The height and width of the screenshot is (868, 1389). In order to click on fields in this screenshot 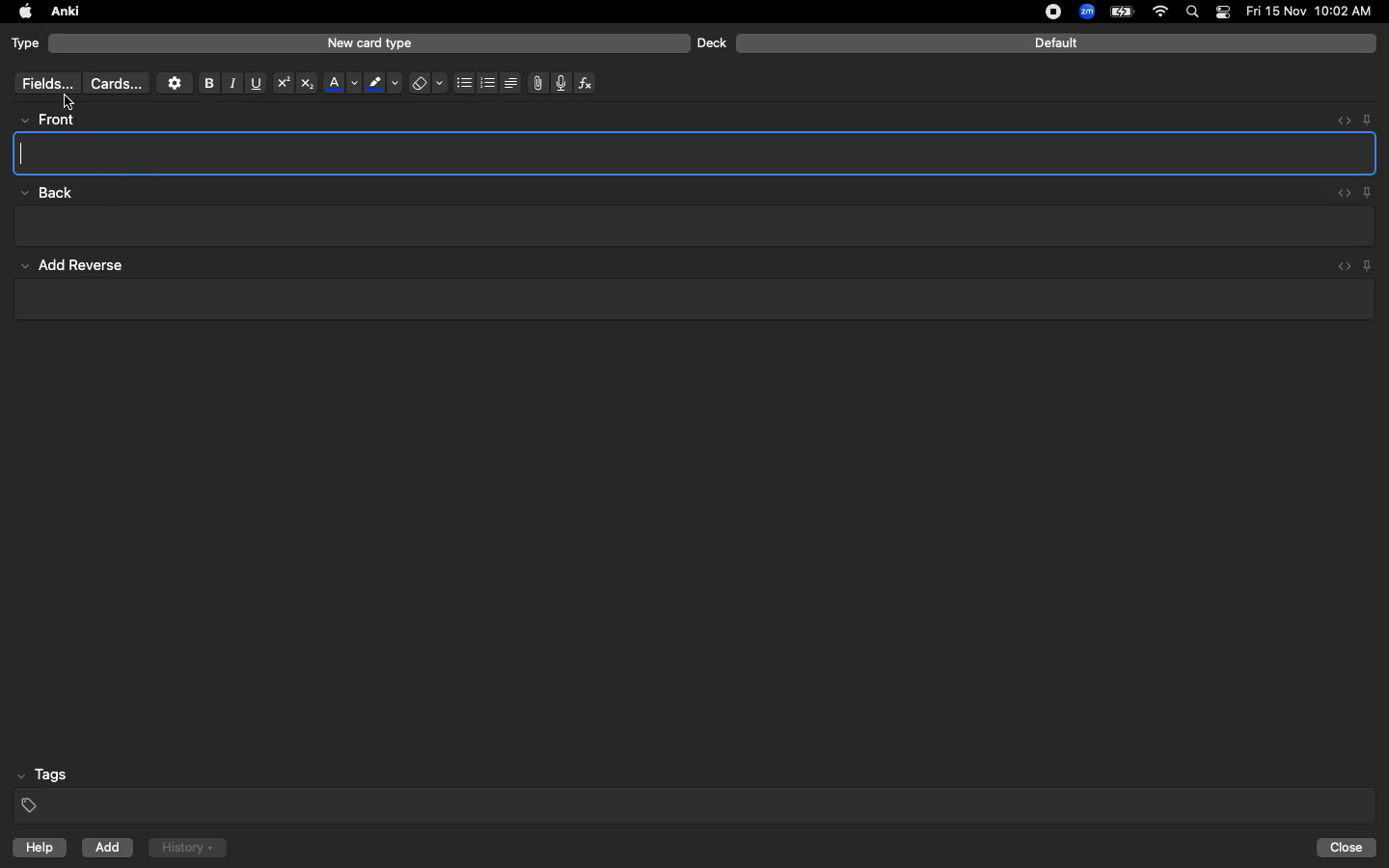, I will do `click(42, 84)`.